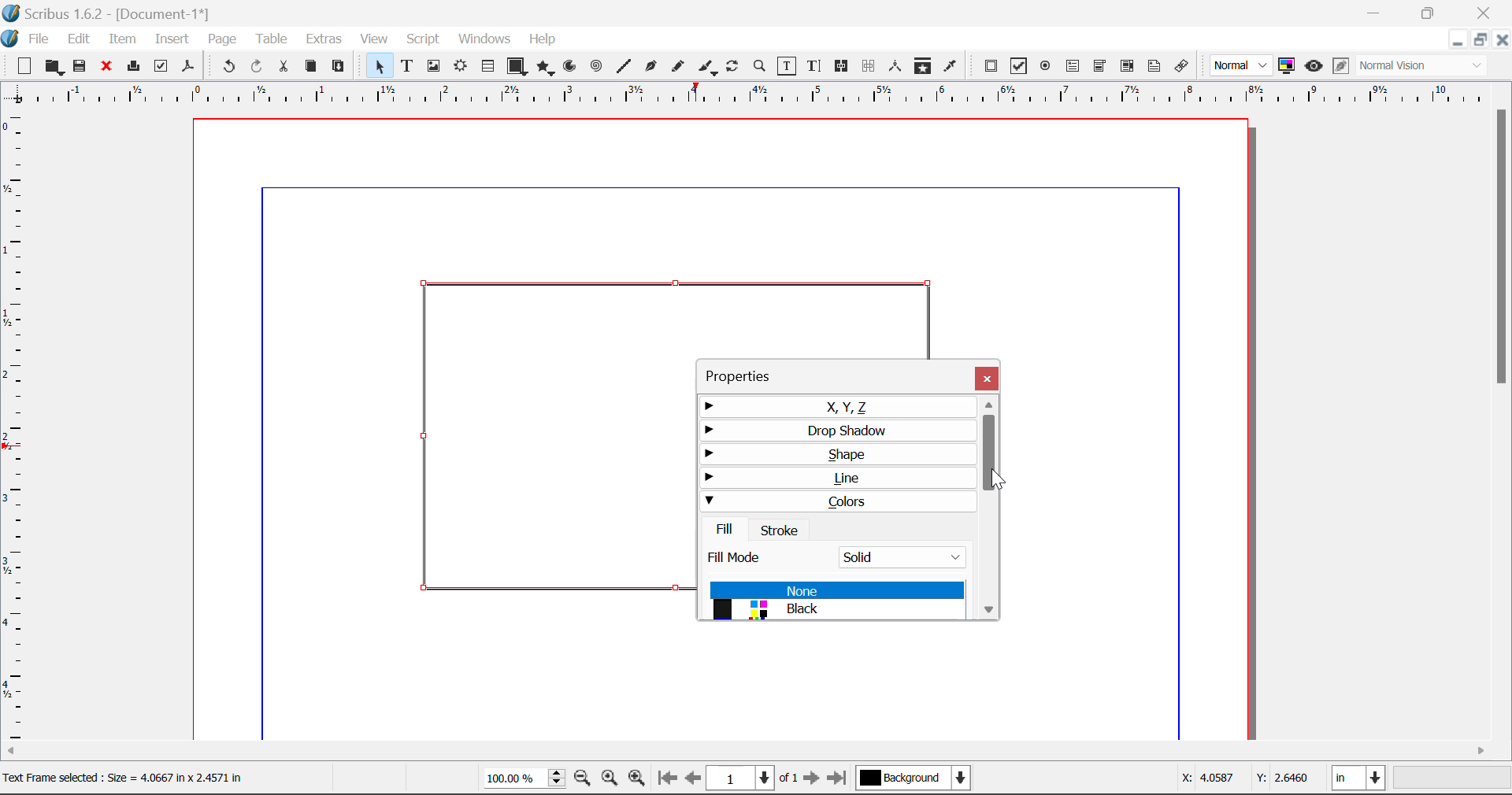 The width and height of the screenshot is (1512, 795). I want to click on Pdf Push Button, so click(991, 65).